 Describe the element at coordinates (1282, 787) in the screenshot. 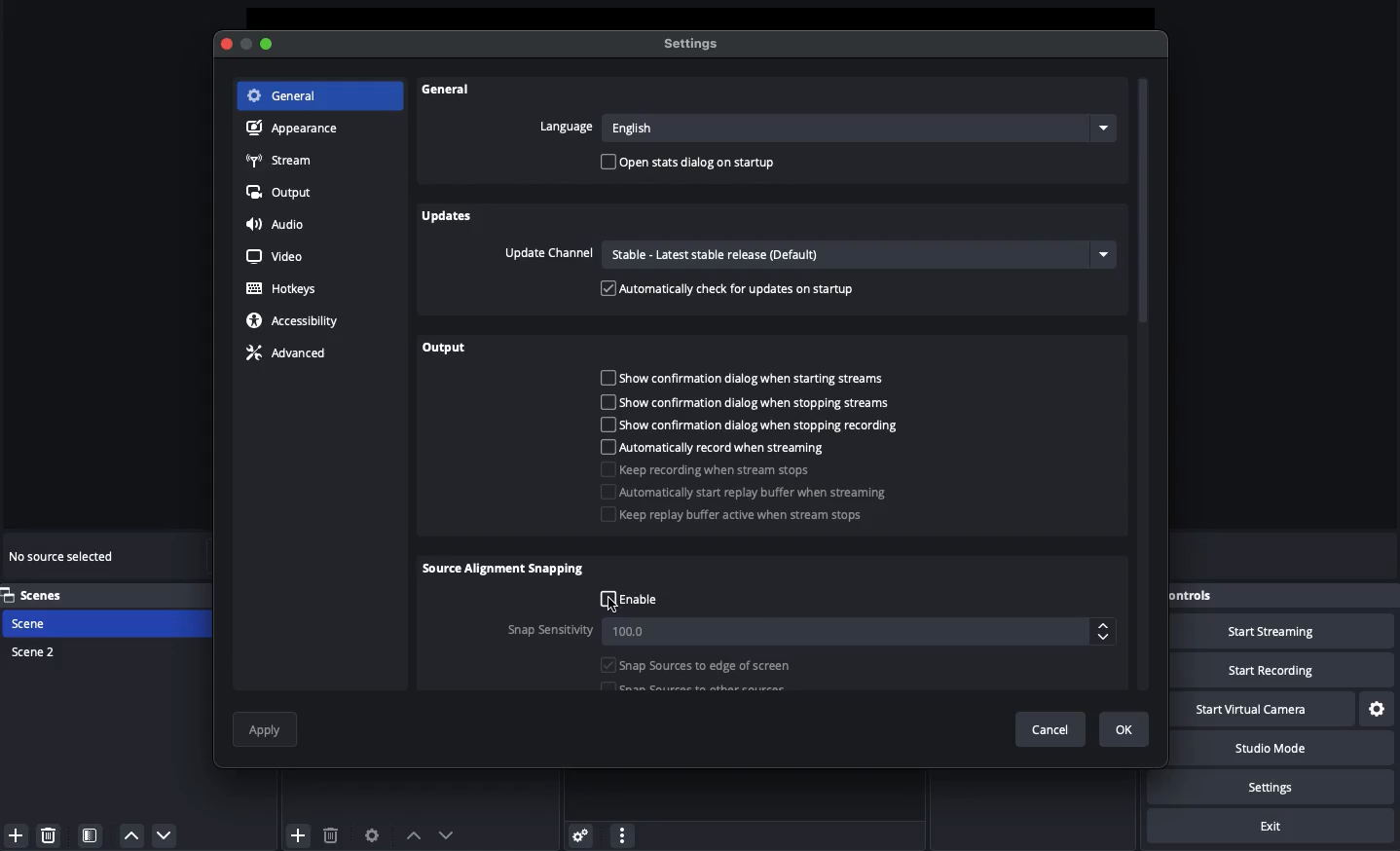

I see `Settings` at that location.